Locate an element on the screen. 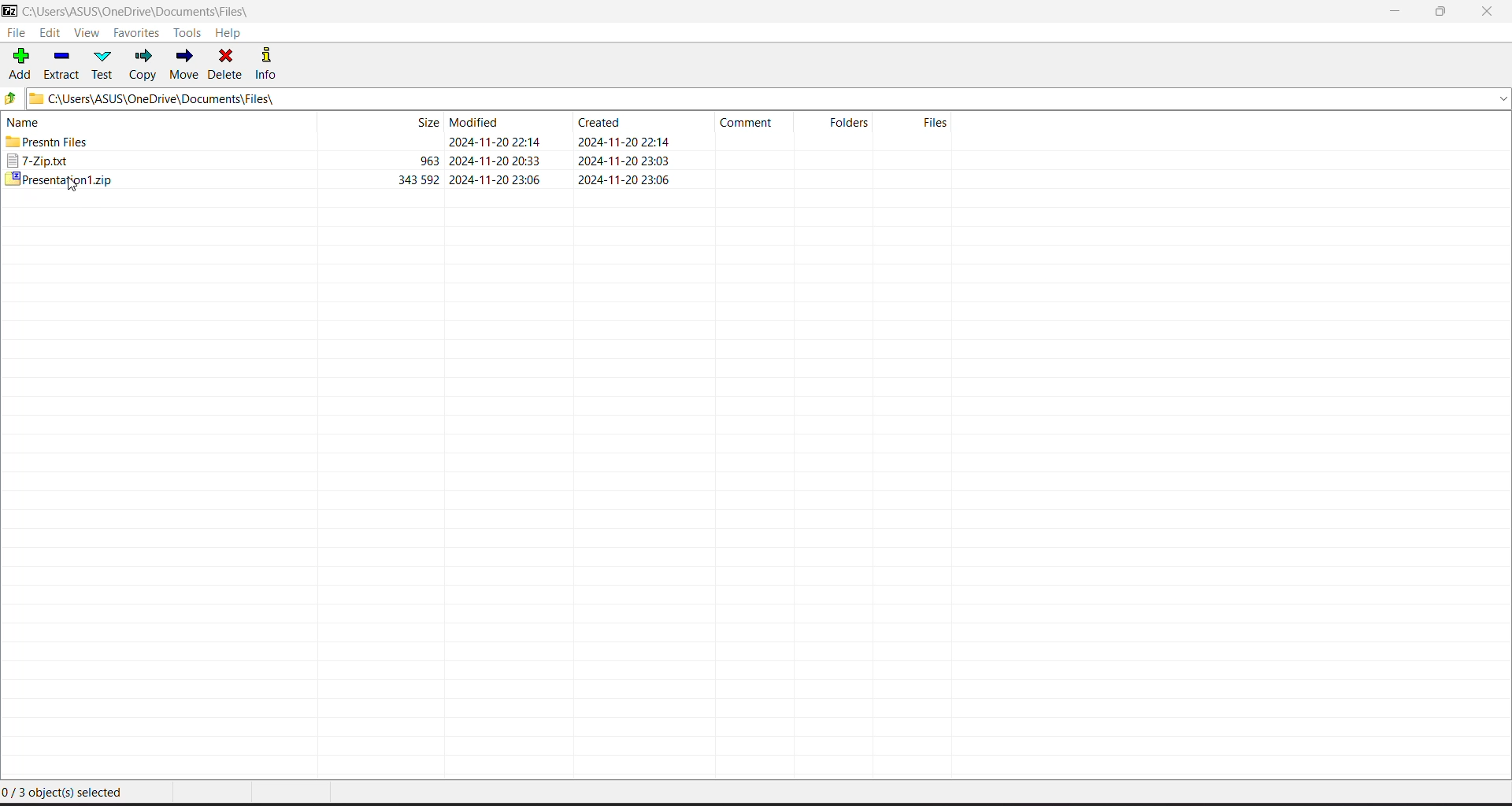 The height and width of the screenshot is (806, 1512). Favorites is located at coordinates (137, 33).